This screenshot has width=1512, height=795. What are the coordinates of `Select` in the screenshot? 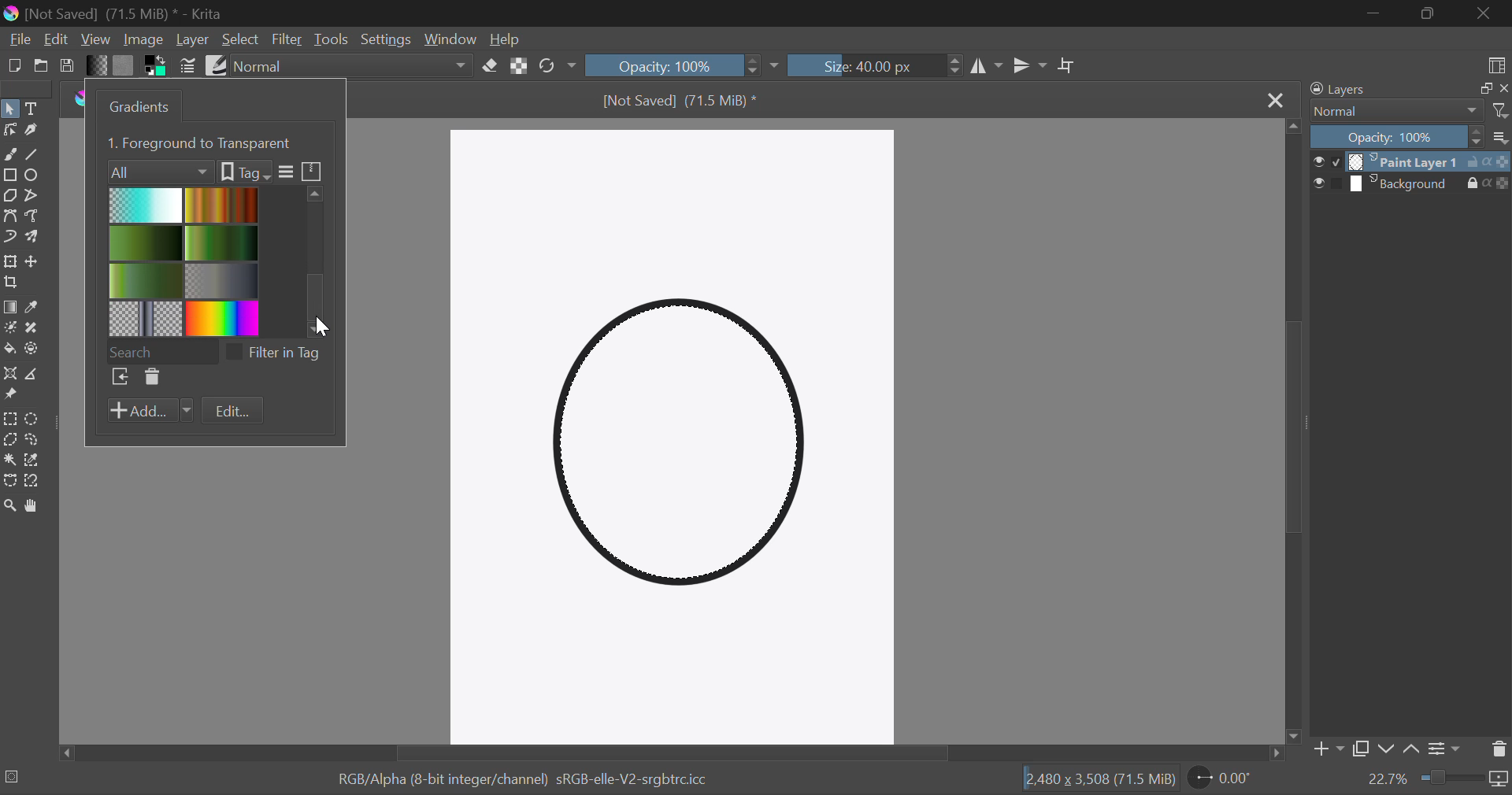 It's located at (10, 109).